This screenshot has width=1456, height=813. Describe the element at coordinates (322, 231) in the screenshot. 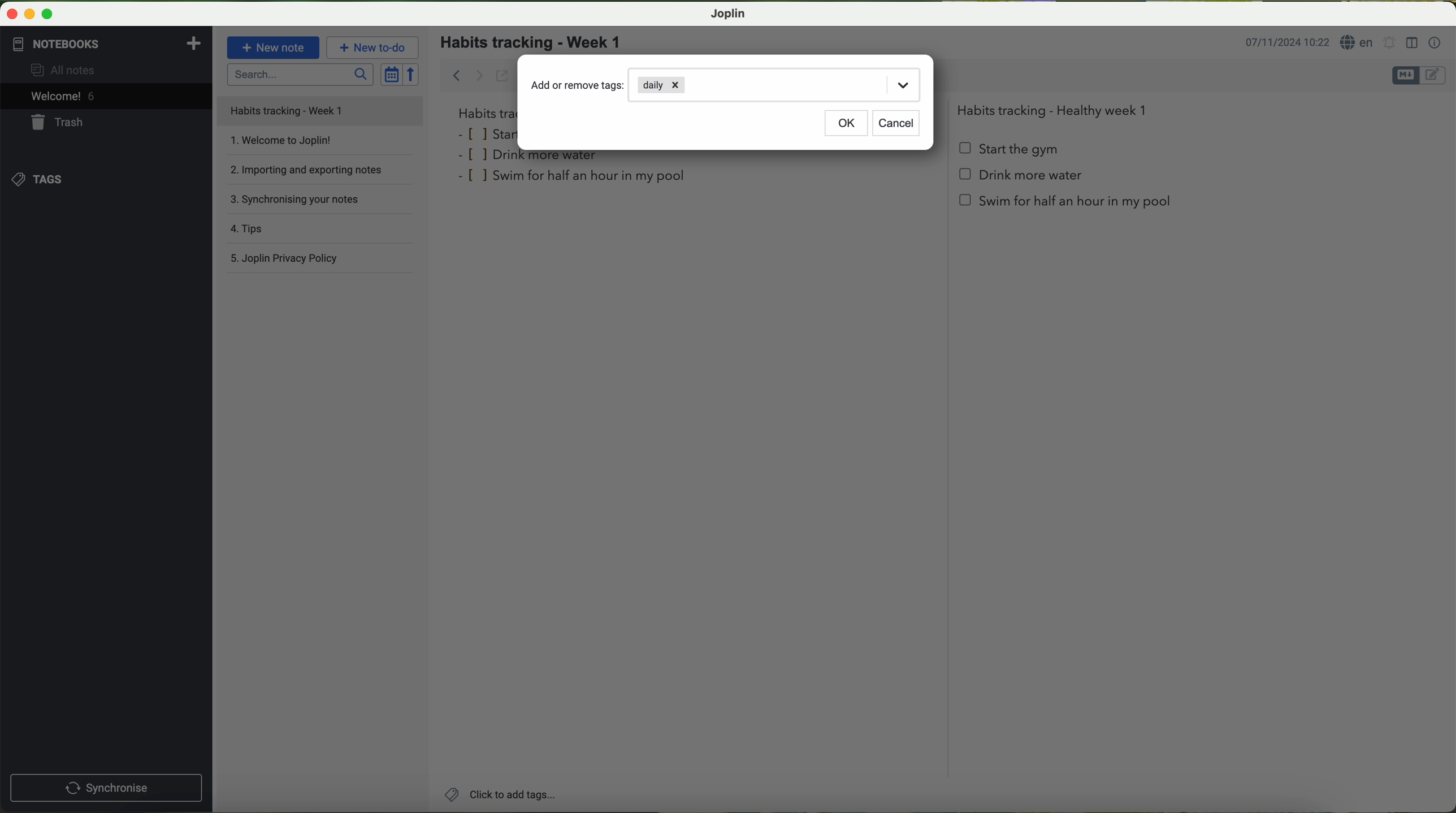

I see `tips` at that location.